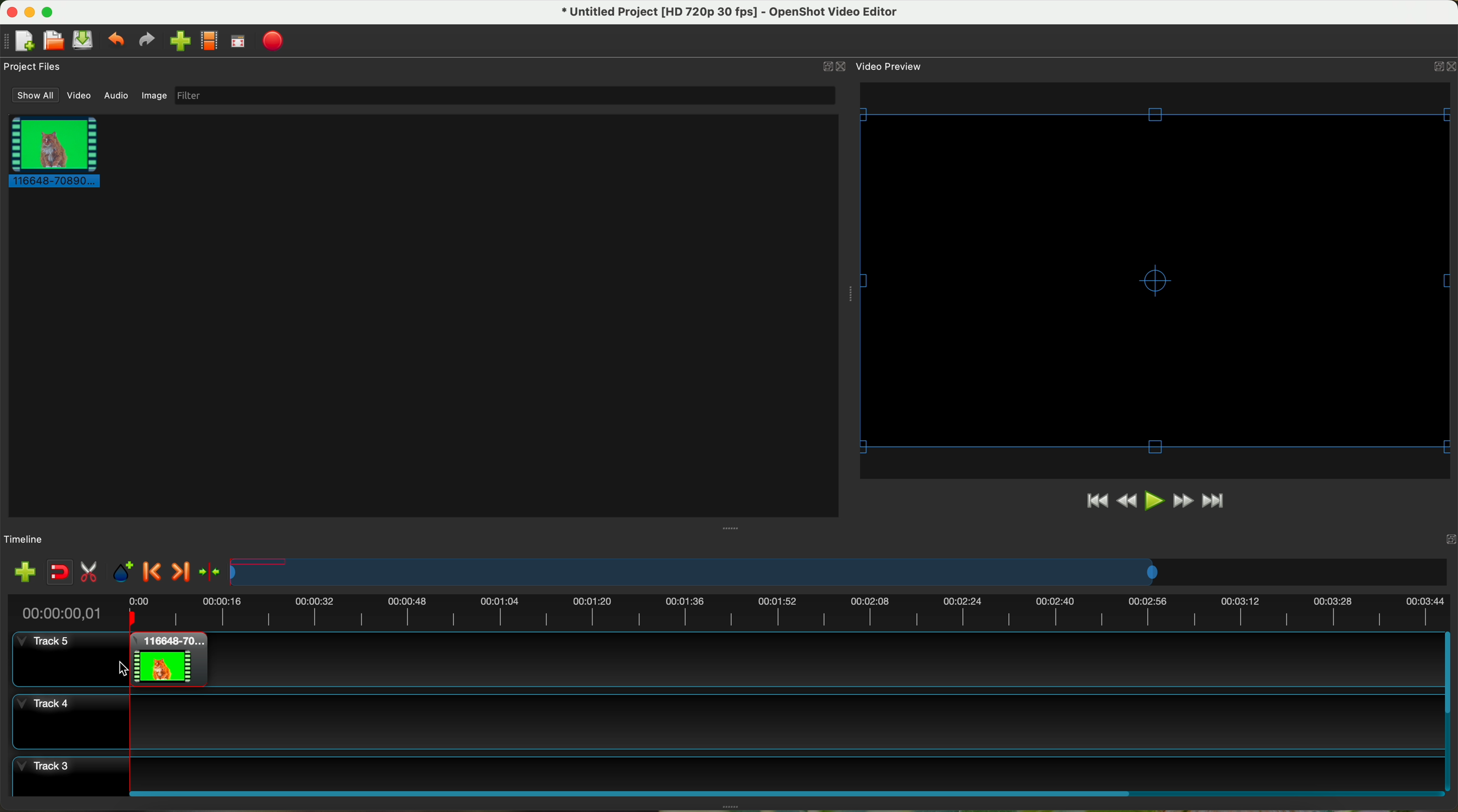  Describe the element at coordinates (273, 42) in the screenshot. I see `export video` at that location.